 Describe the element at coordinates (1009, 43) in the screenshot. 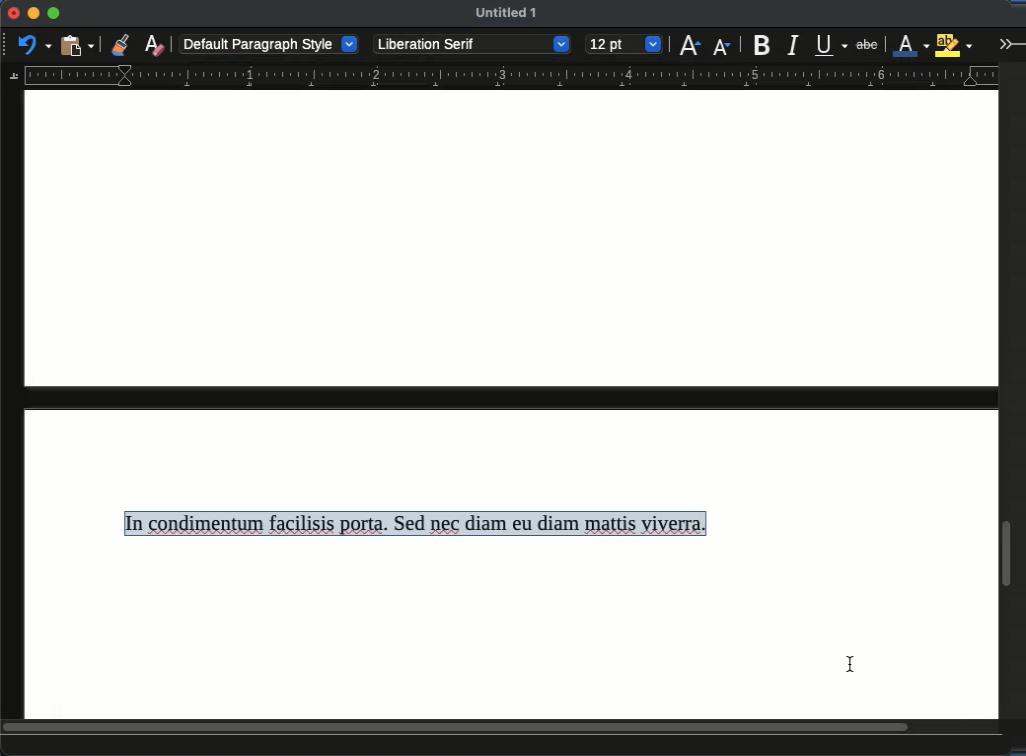

I see `expand` at that location.